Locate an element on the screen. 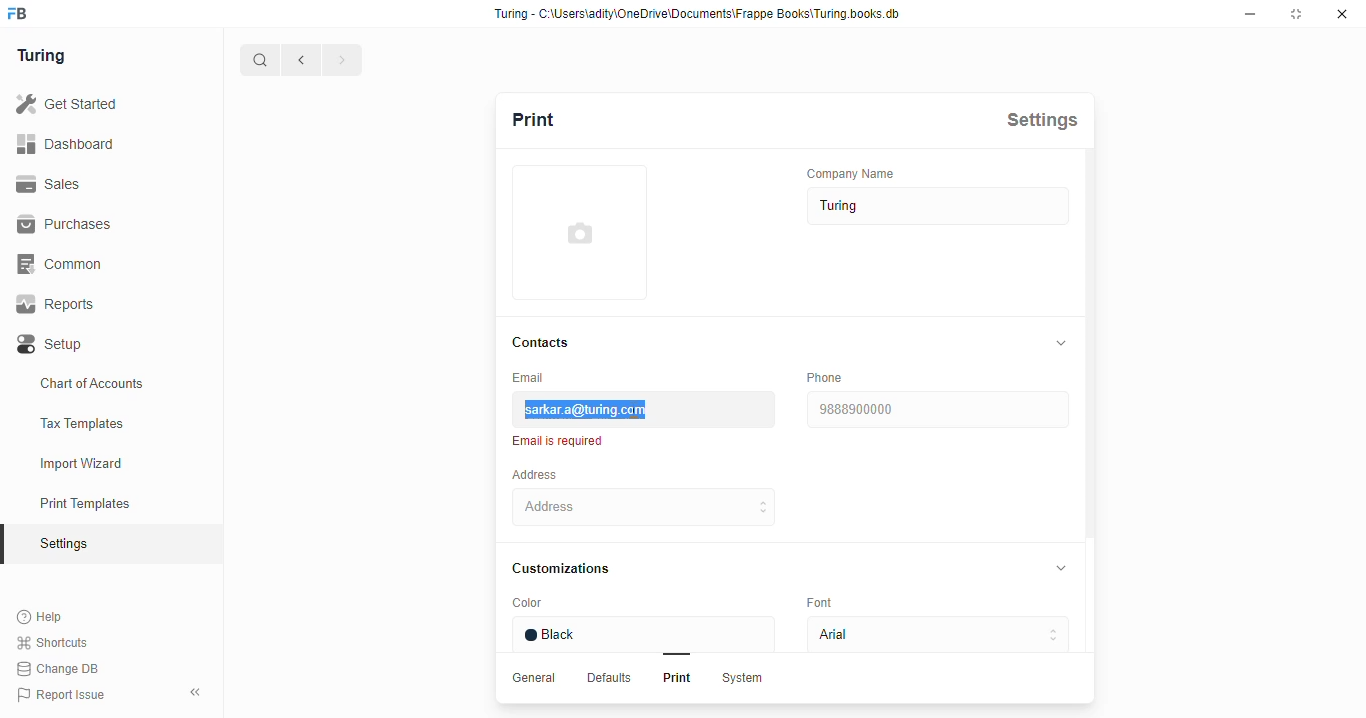  Address H is located at coordinates (672, 506).